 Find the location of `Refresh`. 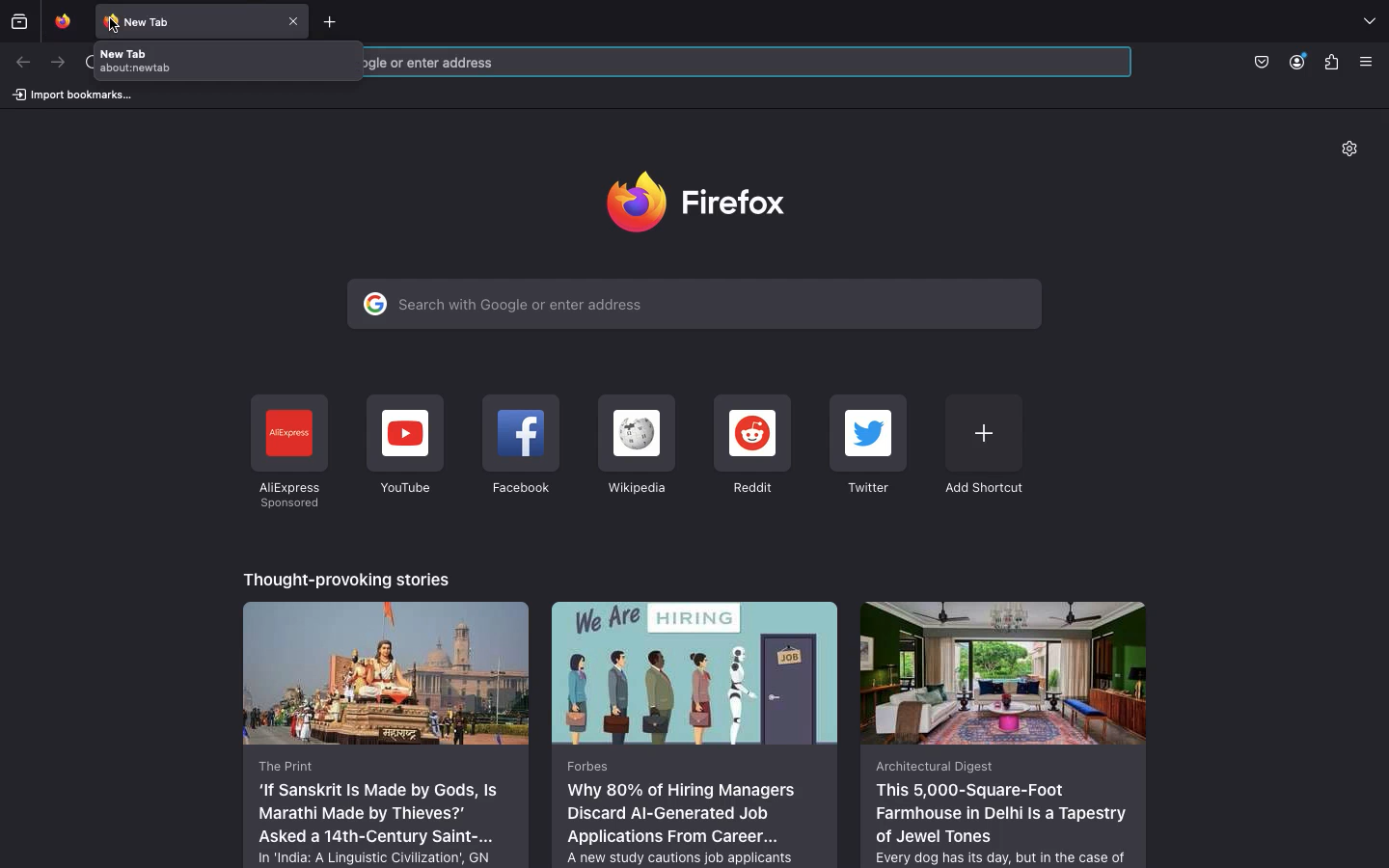

Refresh is located at coordinates (83, 63).